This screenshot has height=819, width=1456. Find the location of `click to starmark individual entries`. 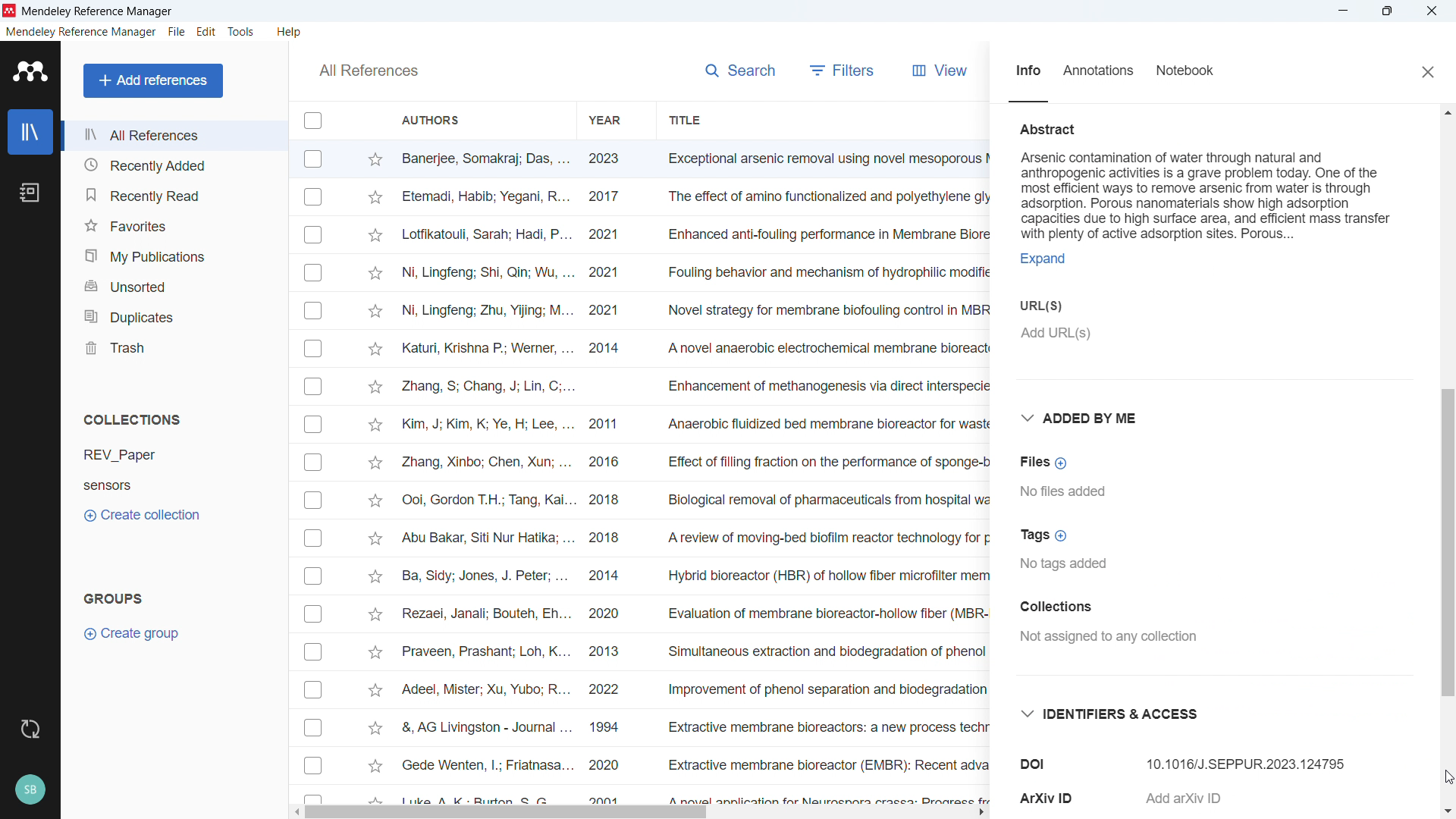

click to starmark individual entries is located at coordinates (376, 538).